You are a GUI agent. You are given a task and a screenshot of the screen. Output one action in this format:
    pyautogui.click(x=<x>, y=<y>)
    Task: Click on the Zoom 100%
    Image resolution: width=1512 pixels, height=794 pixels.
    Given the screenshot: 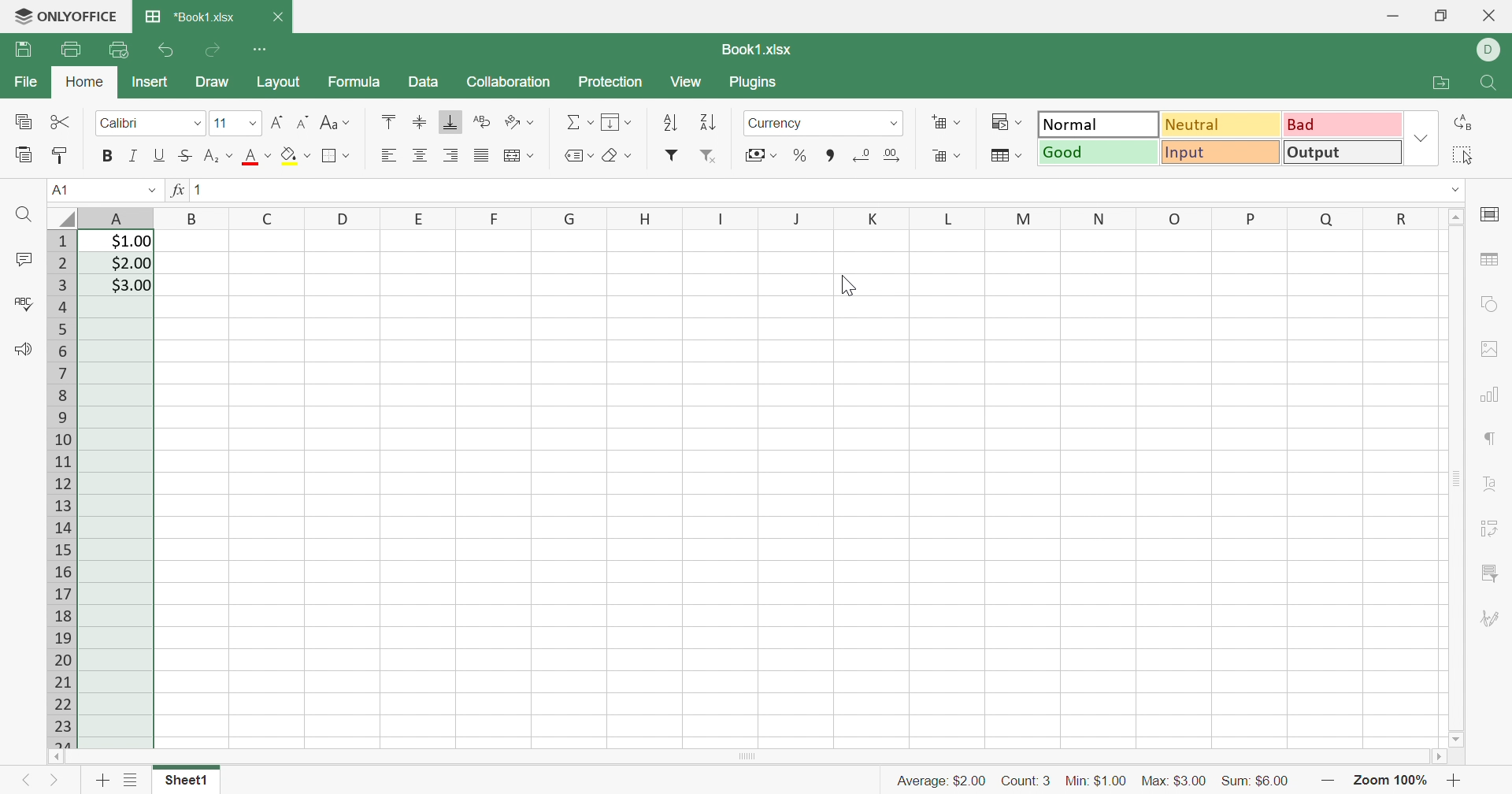 What is the action you would take?
    pyautogui.click(x=1388, y=782)
    